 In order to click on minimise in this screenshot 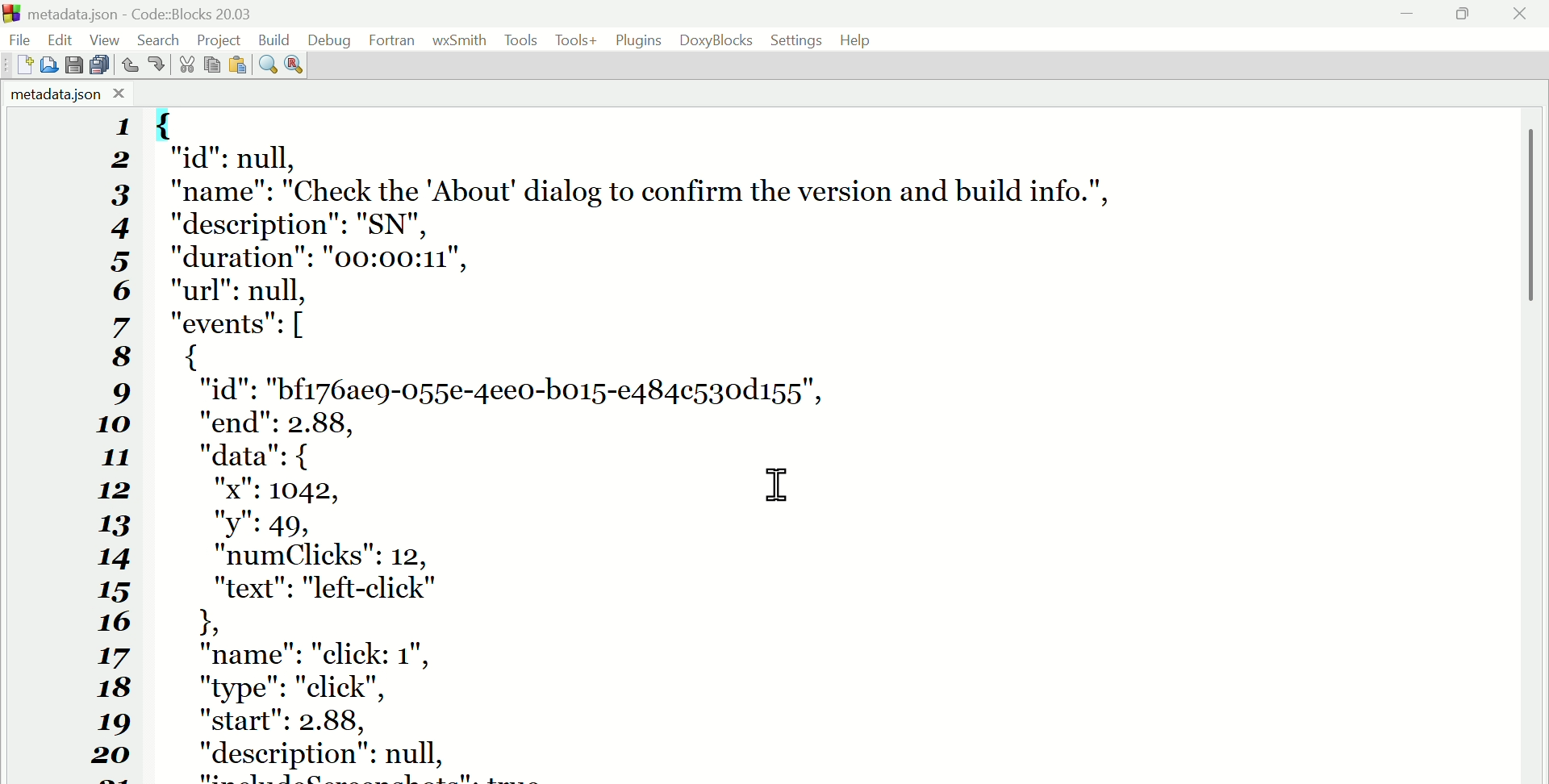, I will do `click(1409, 15)`.